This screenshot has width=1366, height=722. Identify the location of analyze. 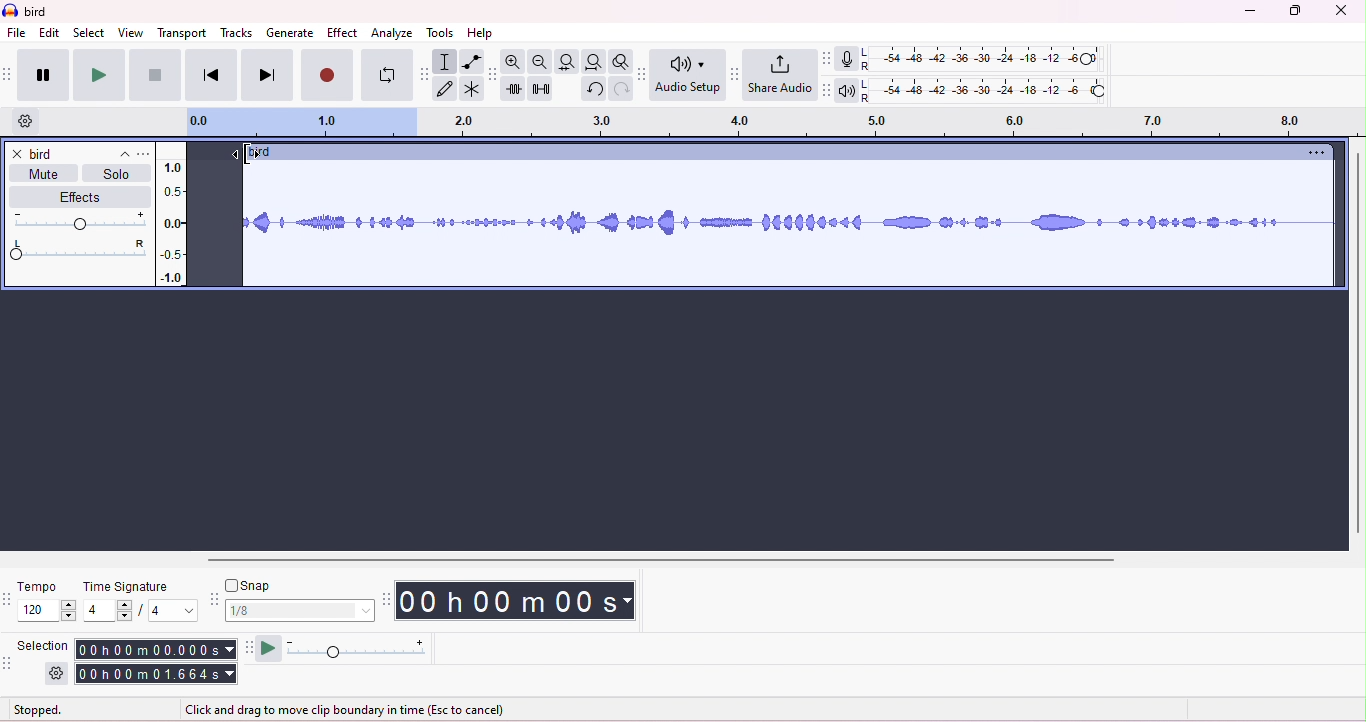
(394, 32).